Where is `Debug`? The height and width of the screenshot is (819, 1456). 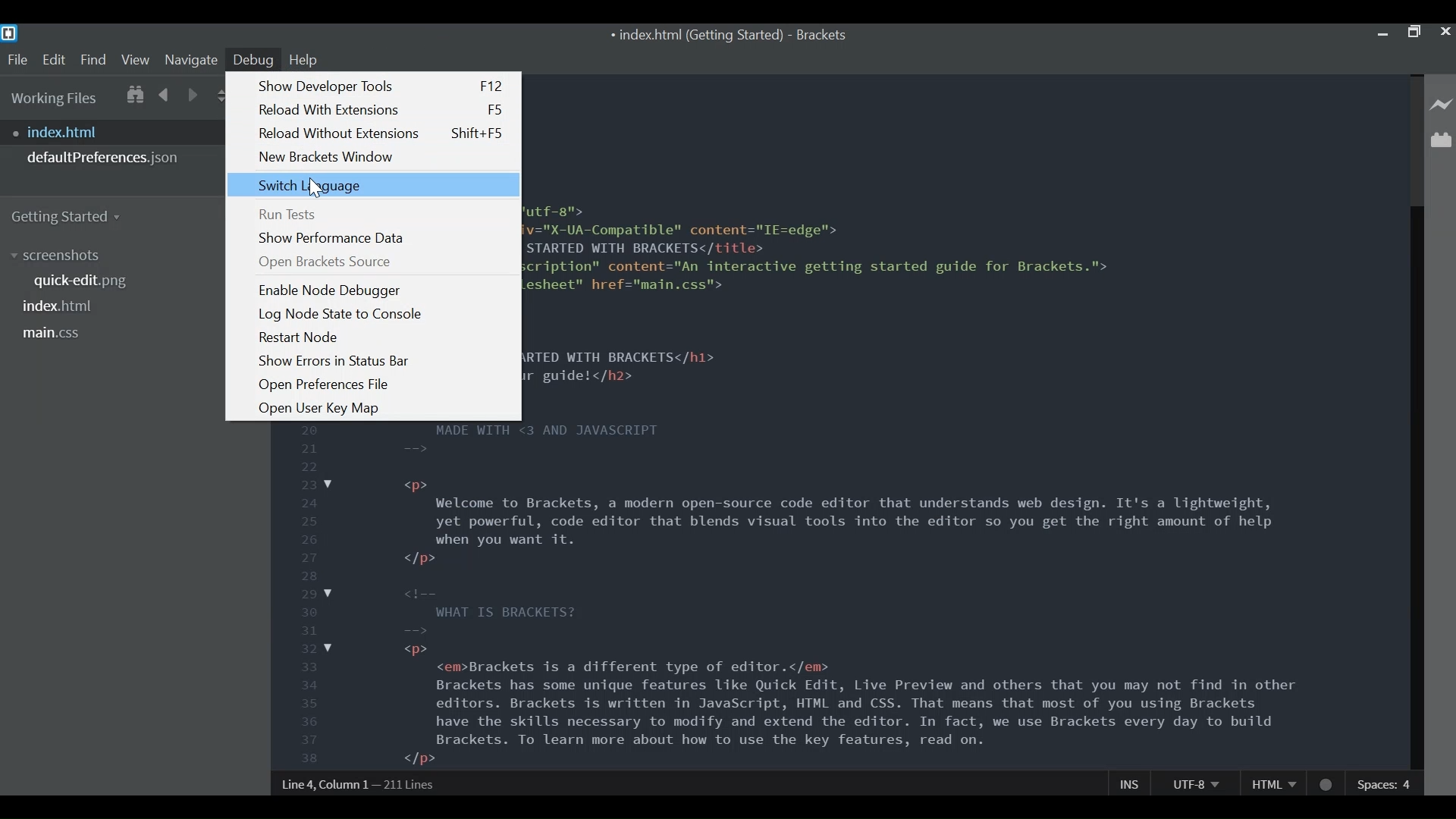 Debug is located at coordinates (253, 60).